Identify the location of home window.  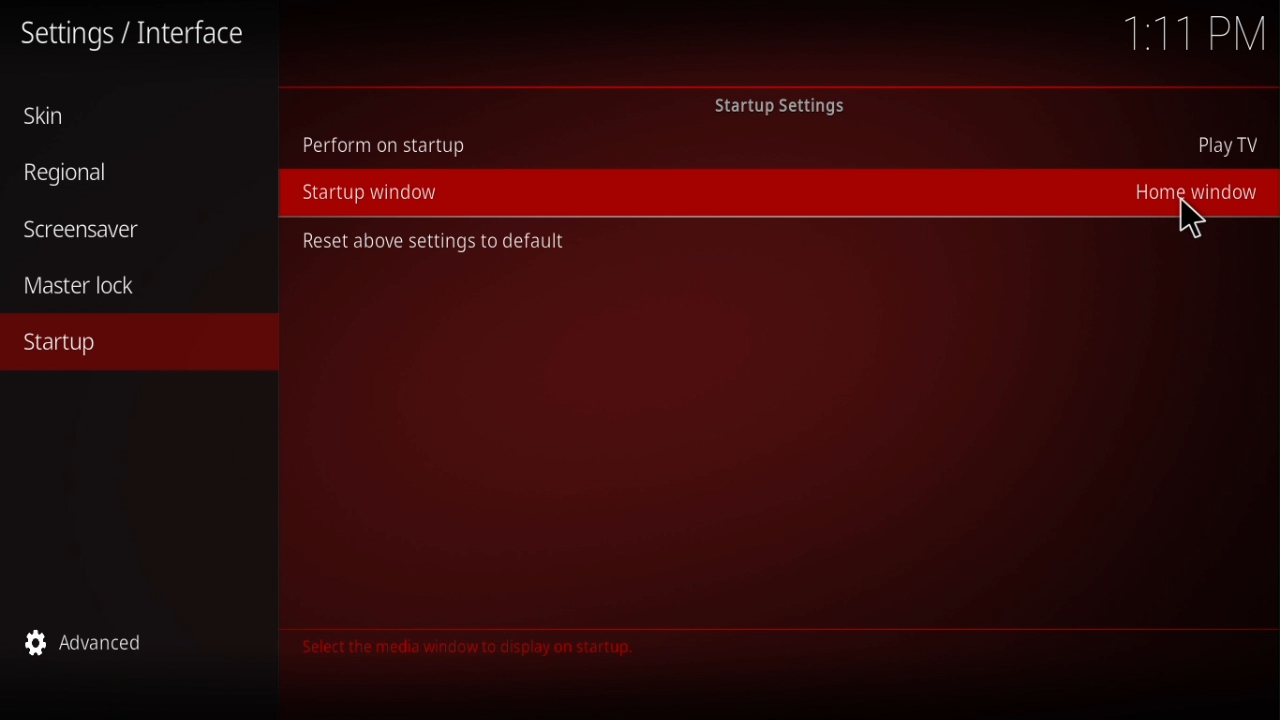
(1190, 189).